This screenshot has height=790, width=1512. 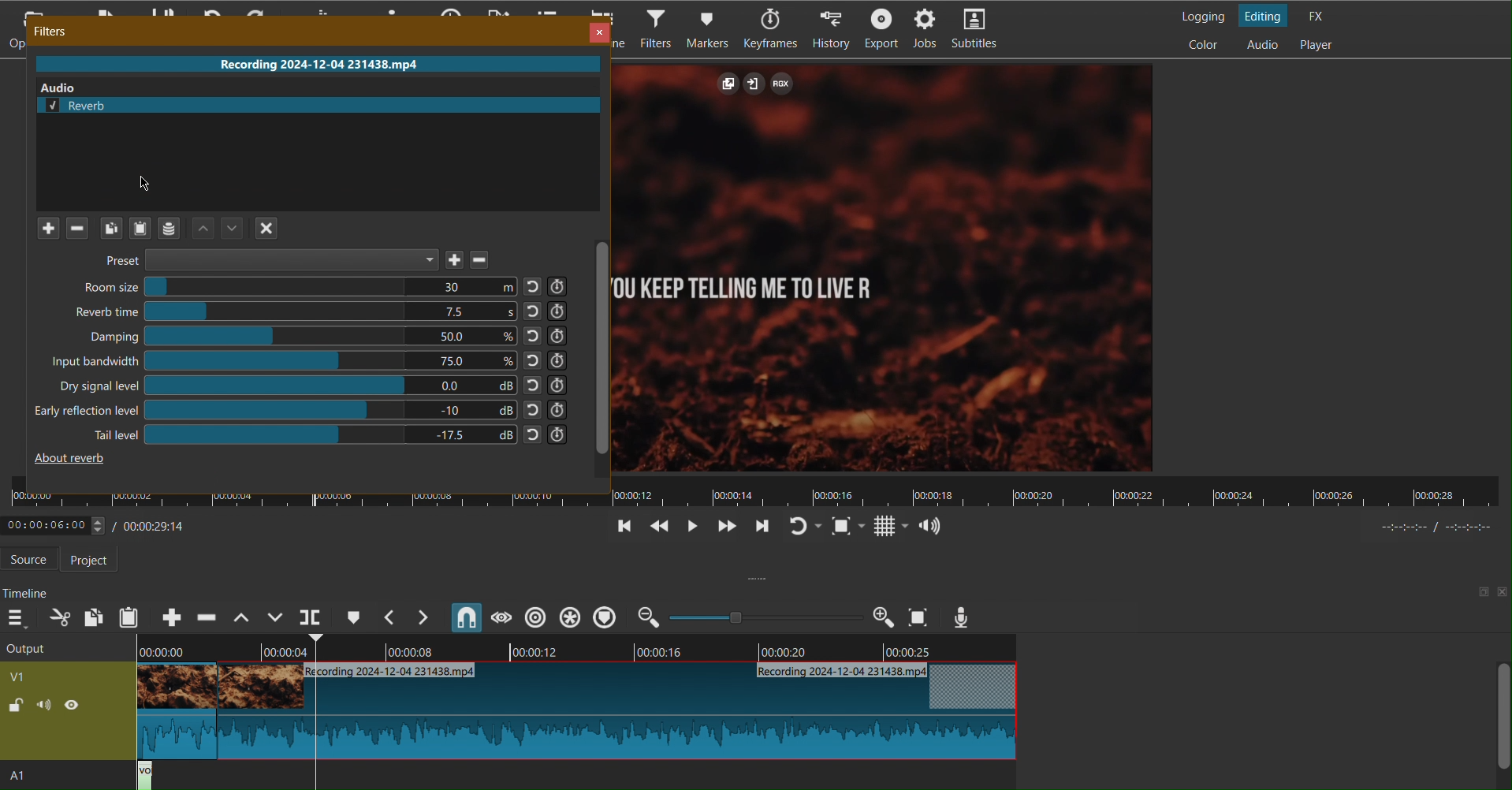 I want to click on Keyframes, so click(x=773, y=29).